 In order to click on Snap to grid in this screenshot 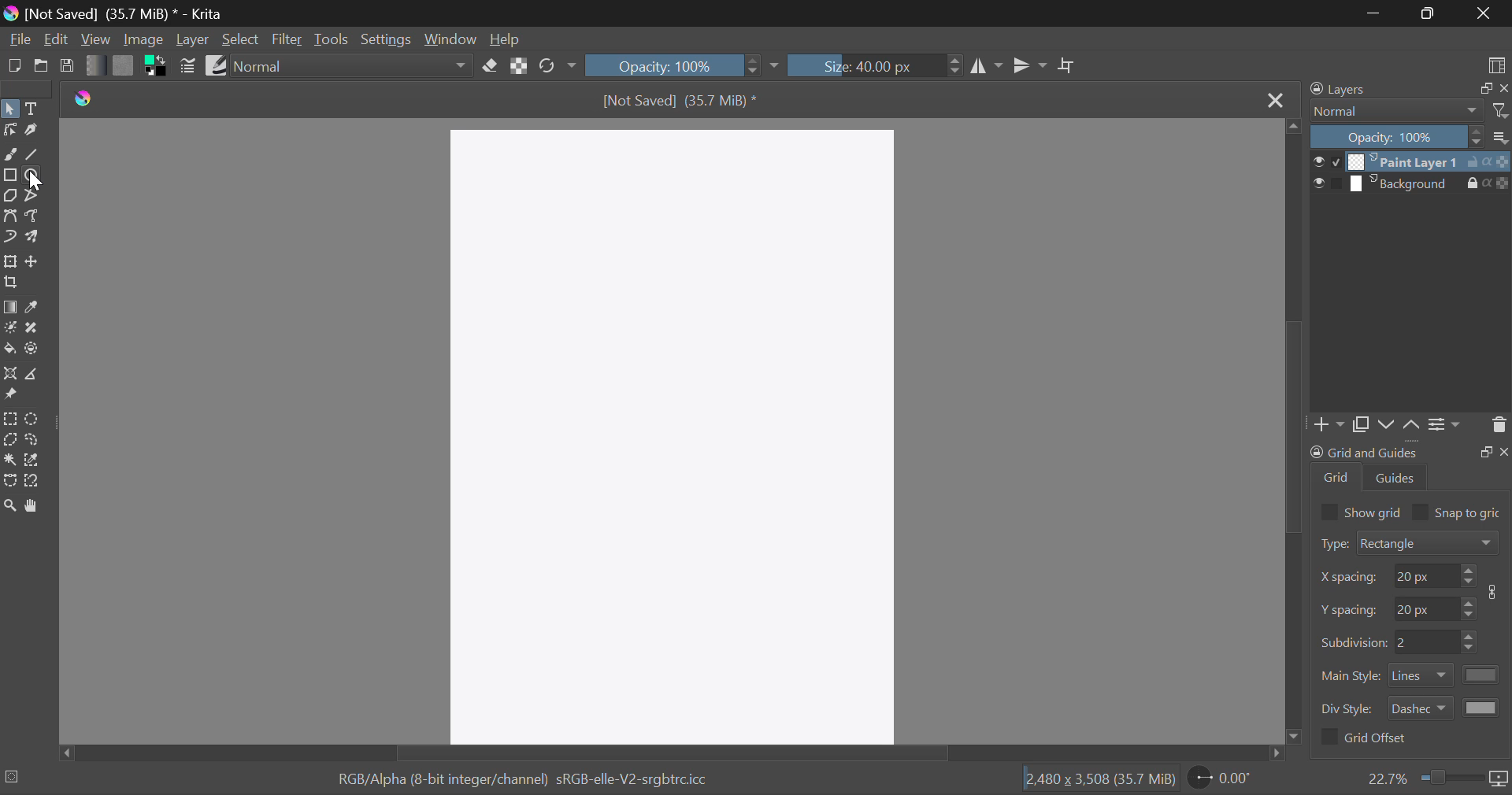, I will do `click(1460, 511)`.